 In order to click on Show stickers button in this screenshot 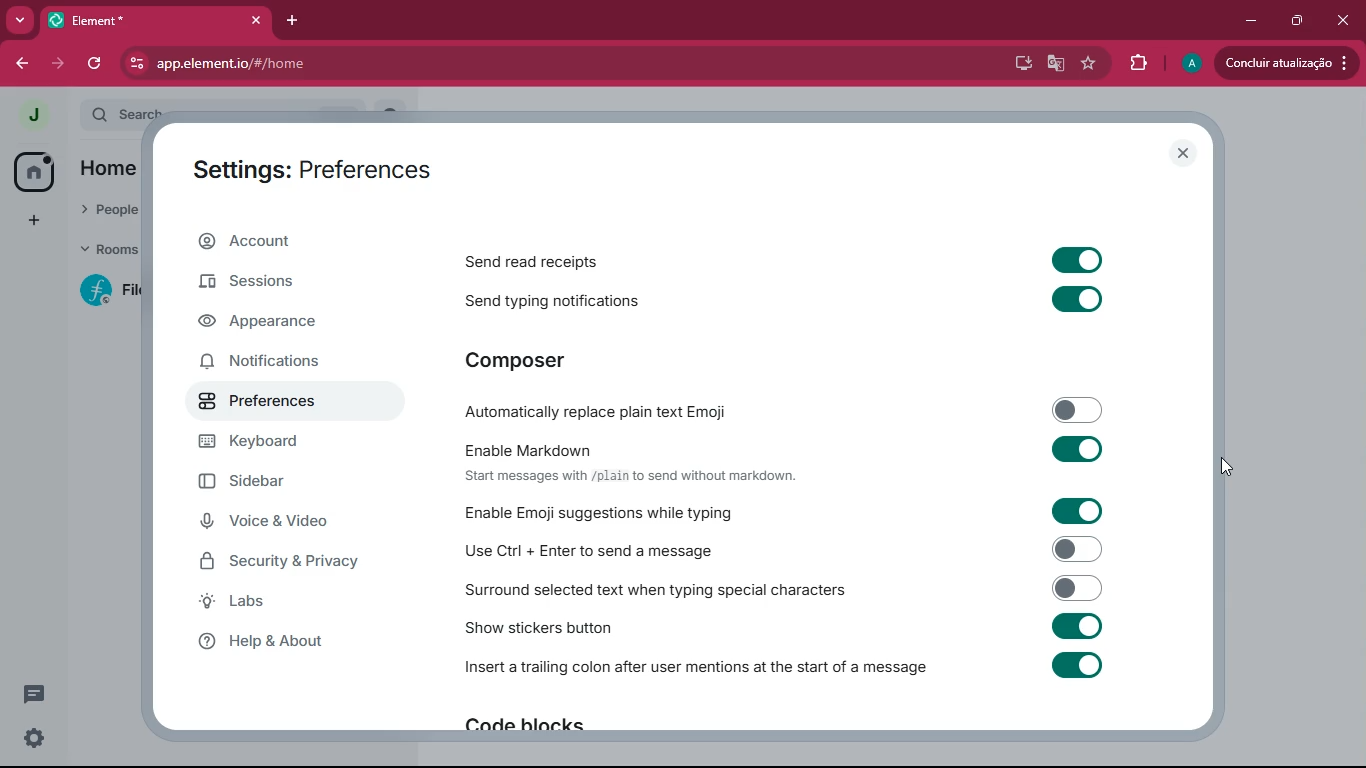, I will do `click(789, 630)`.